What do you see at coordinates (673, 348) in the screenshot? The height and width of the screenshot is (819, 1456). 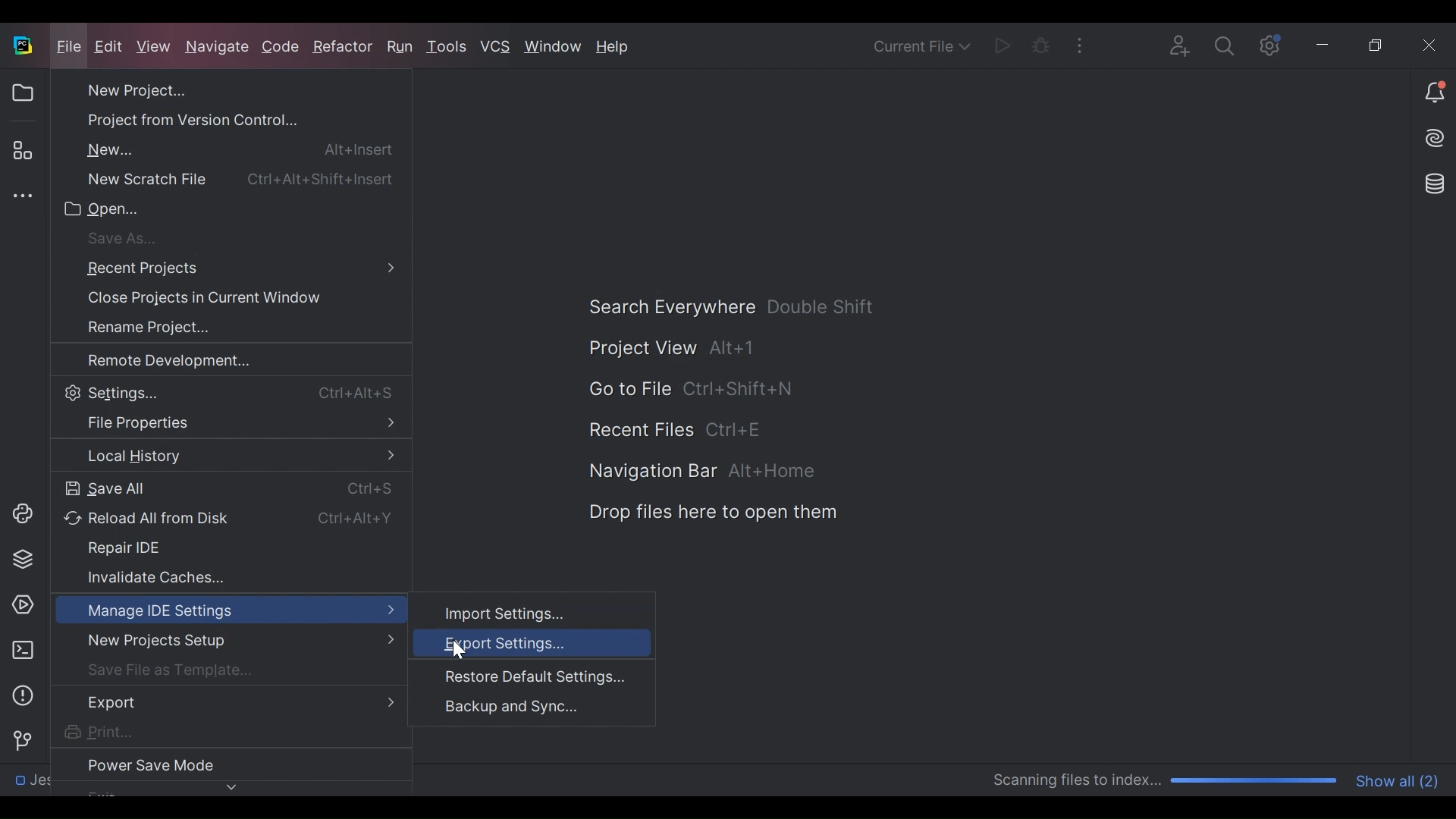 I see `Project View` at bounding box center [673, 348].